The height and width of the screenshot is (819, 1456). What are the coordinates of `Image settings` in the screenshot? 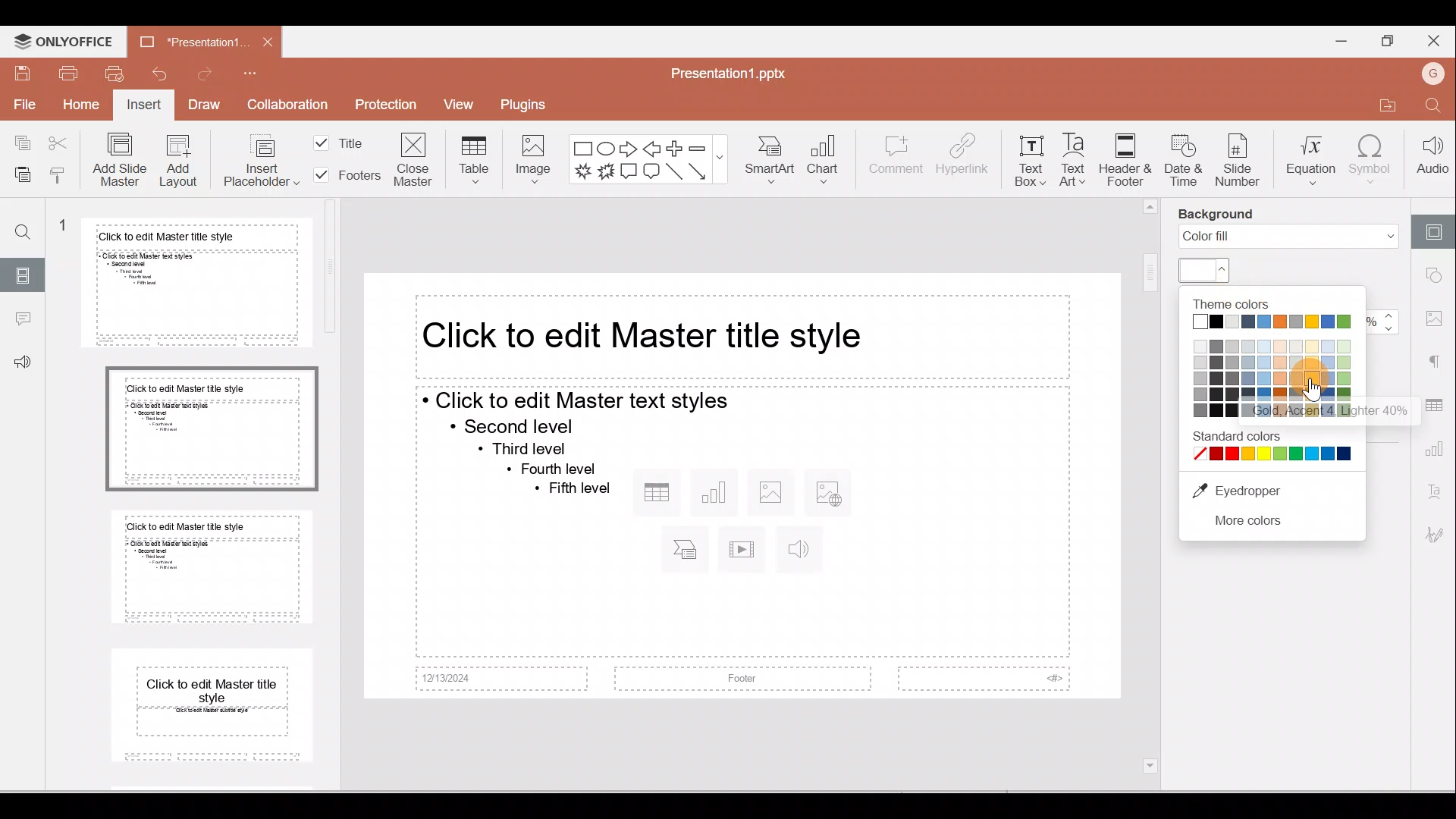 It's located at (1438, 318).